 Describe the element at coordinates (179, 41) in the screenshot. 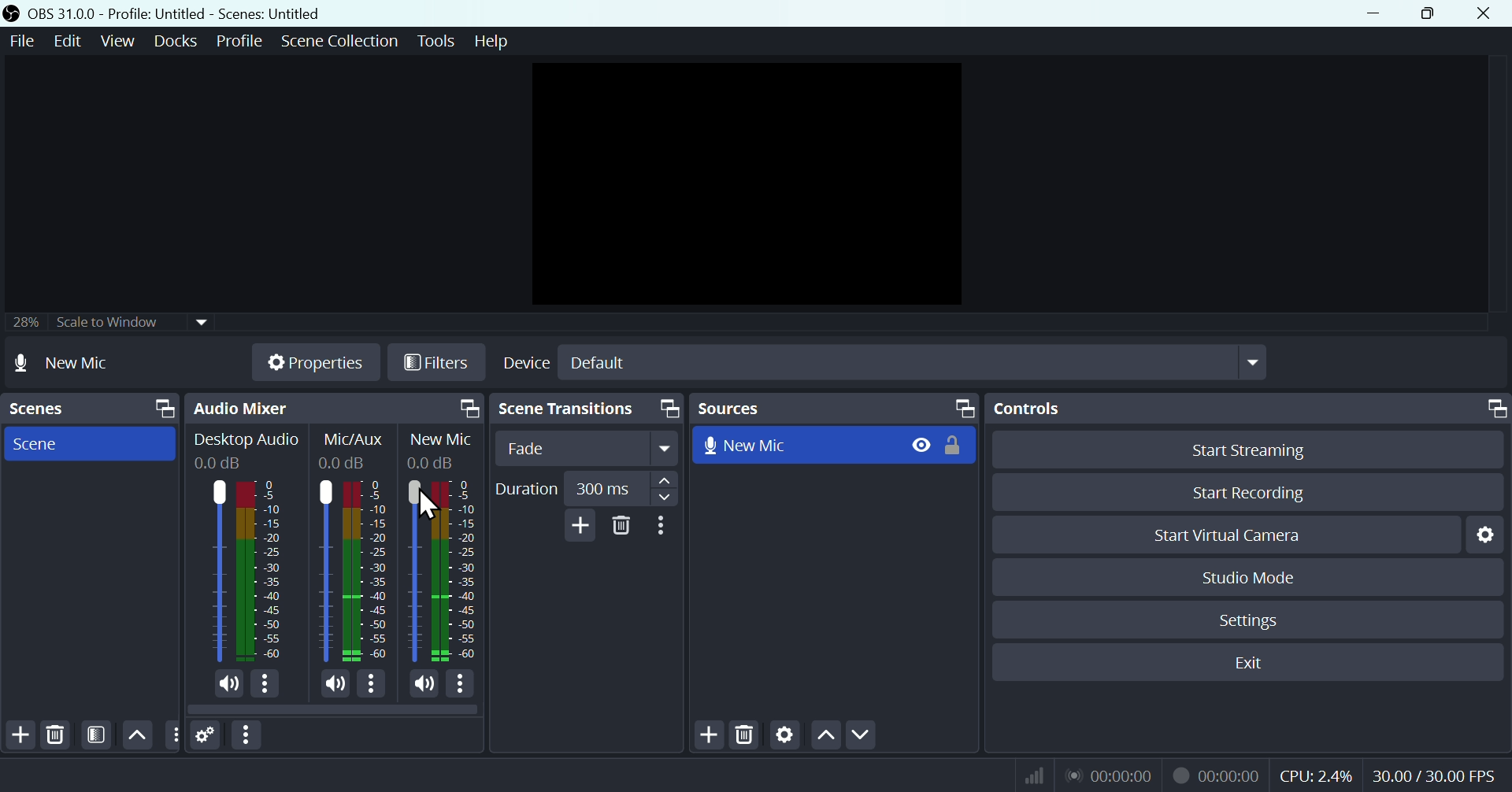

I see `Docks` at that location.